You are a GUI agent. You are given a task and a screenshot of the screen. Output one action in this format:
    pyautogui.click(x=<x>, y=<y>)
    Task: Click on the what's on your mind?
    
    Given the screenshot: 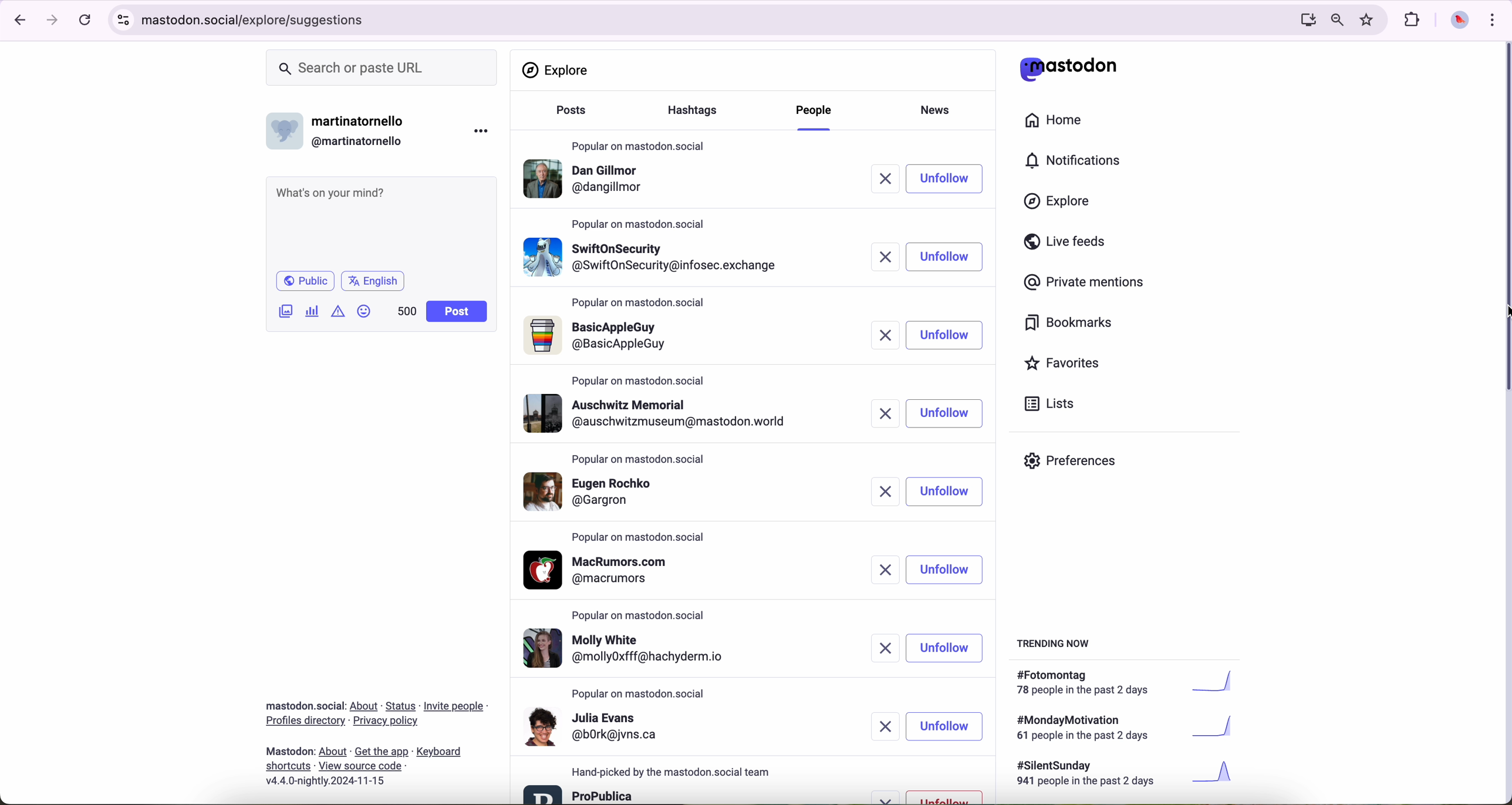 What is the action you would take?
    pyautogui.click(x=380, y=221)
    